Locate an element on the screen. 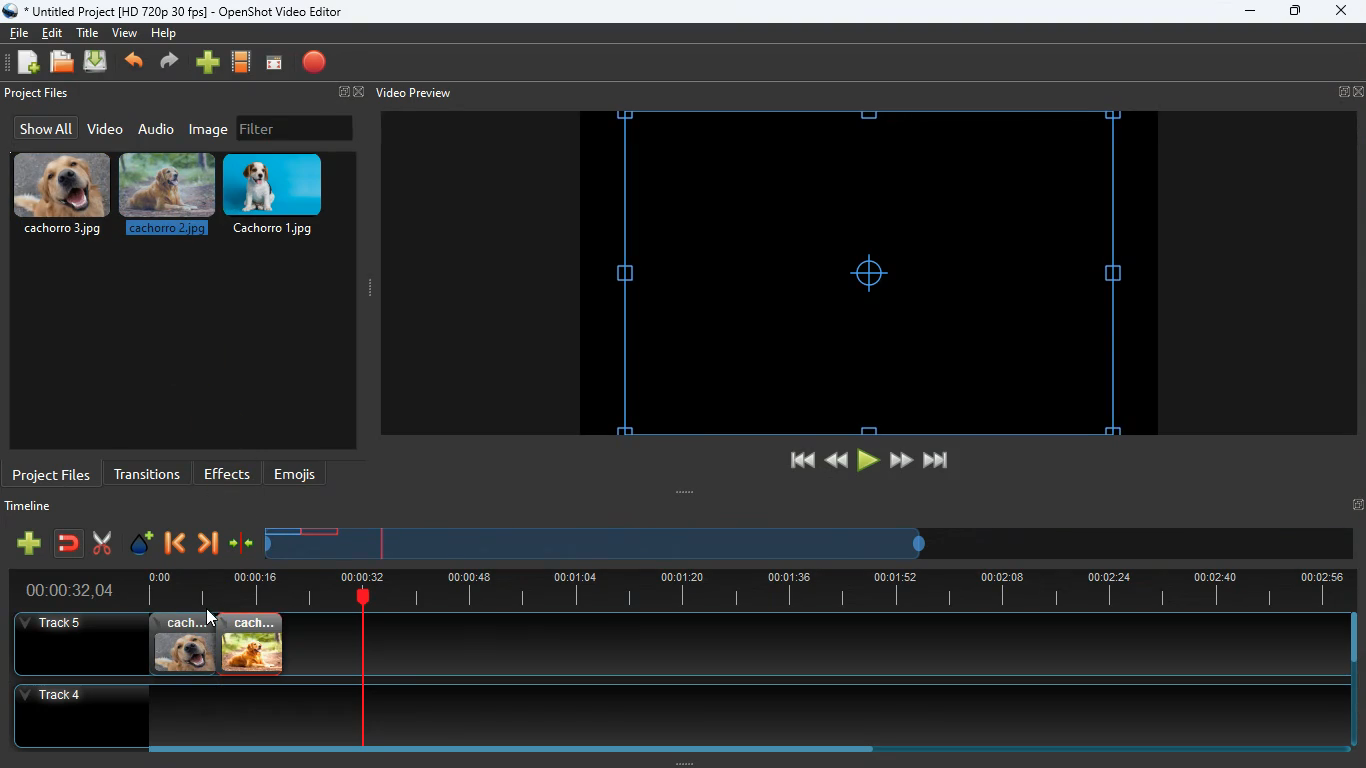 Image resolution: width=1366 pixels, height=768 pixels. forward is located at coordinates (901, 461).